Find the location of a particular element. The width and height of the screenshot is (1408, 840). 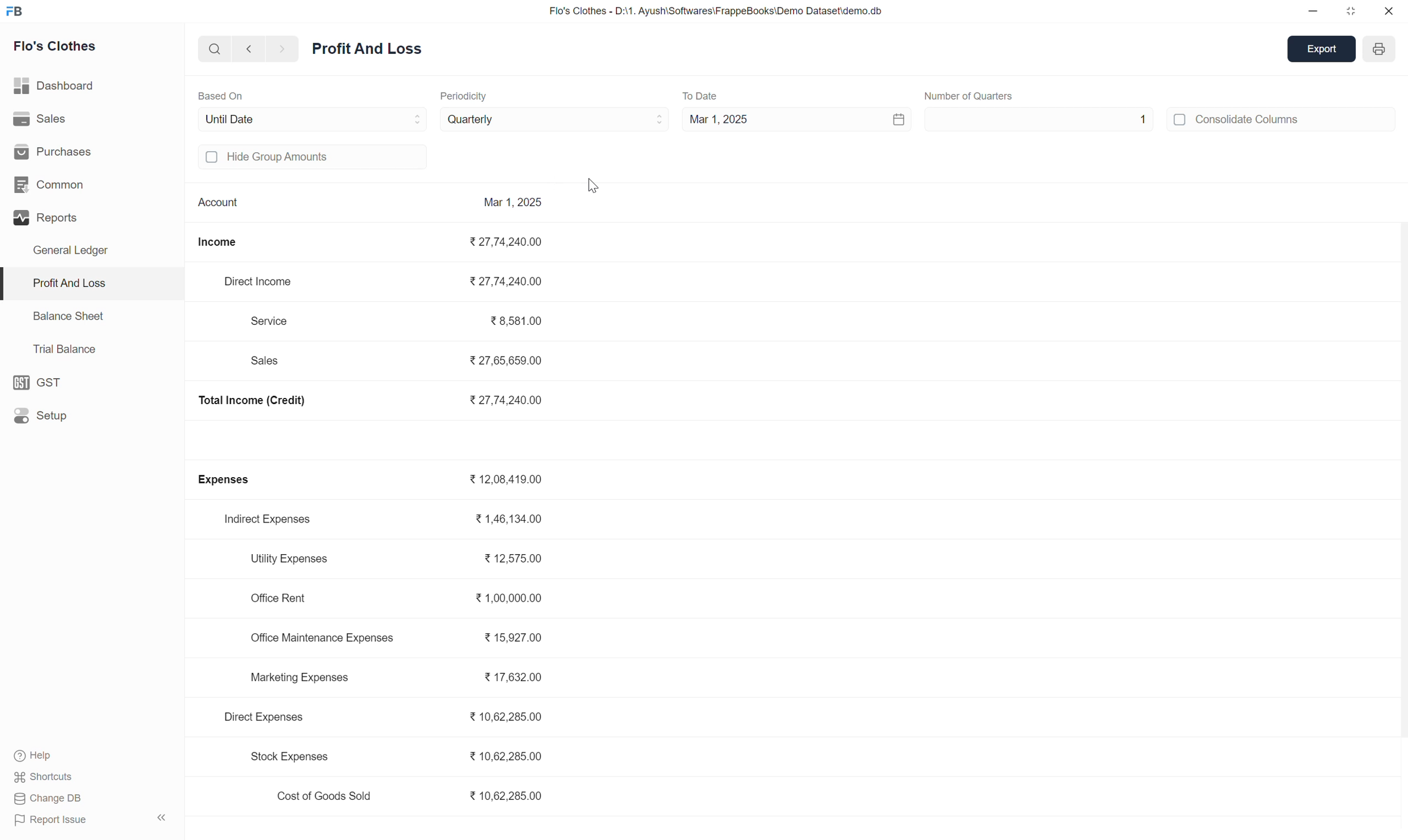

Office Maintenance Expenses is located at coordinates (317, 640).